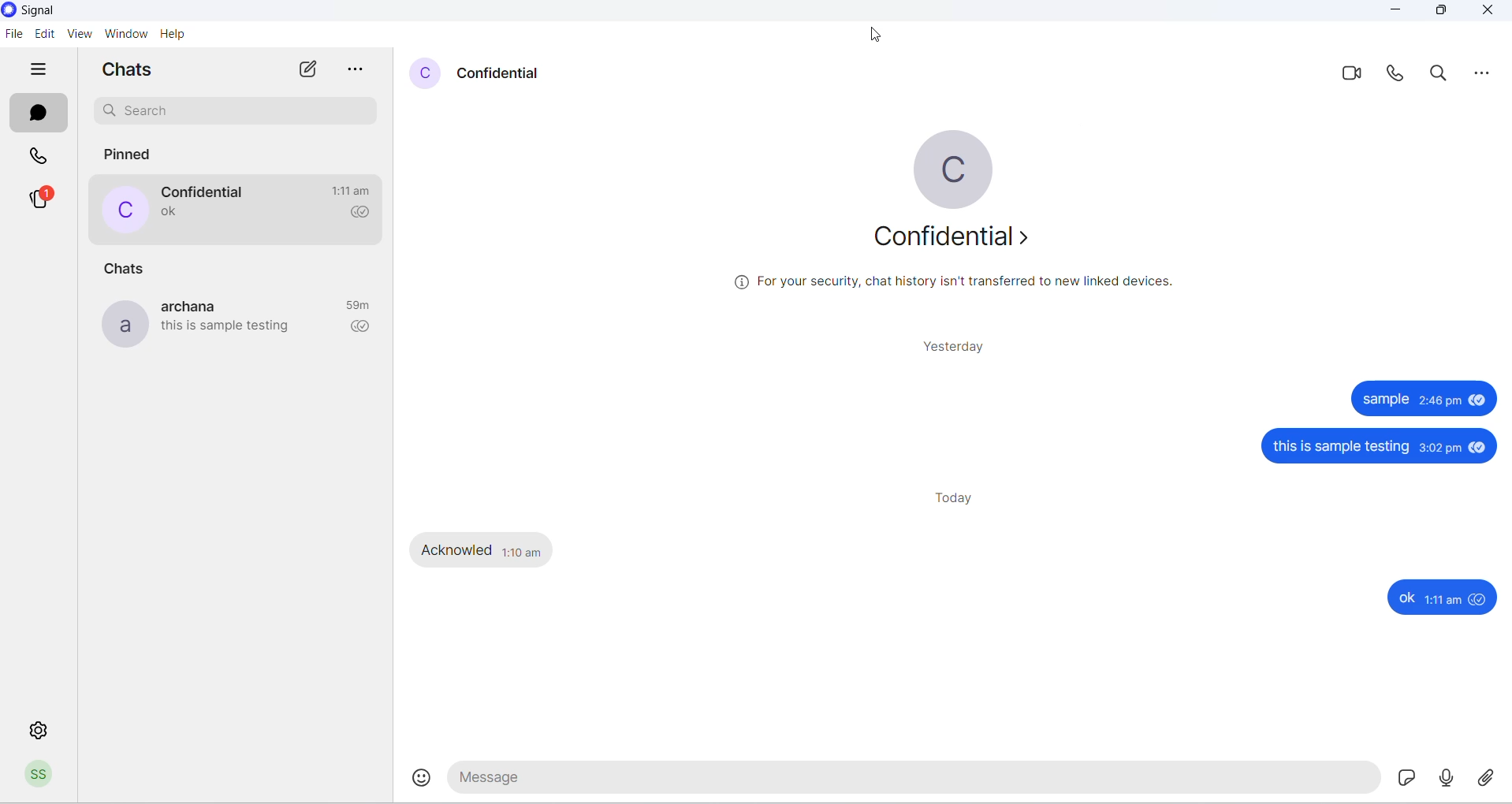  Describe the element at coordinates (426, 73) in the screenshot. I see `contact profile picture` at that location.